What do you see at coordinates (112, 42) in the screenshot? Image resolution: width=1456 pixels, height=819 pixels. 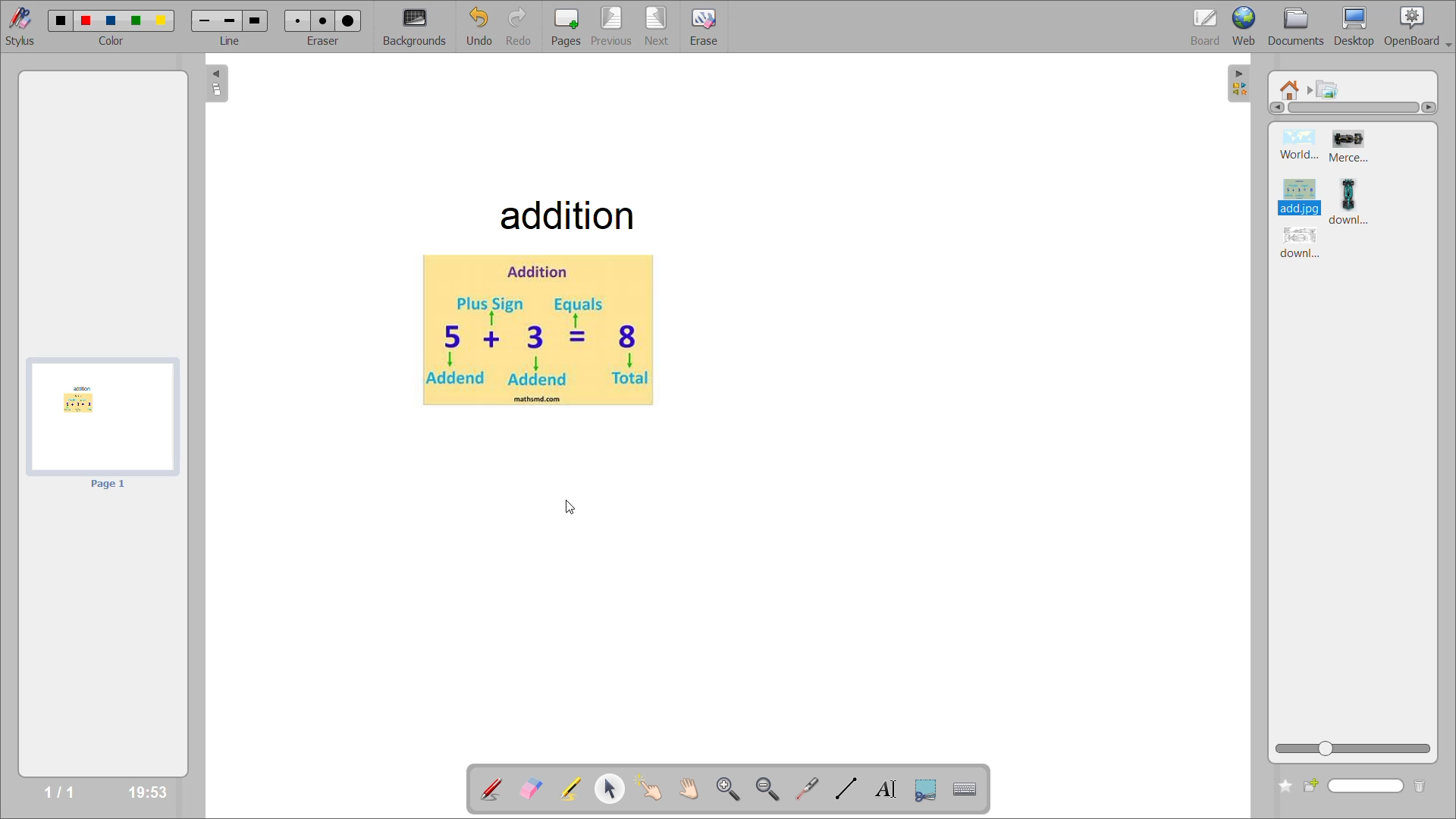 I see `color` at bounding box center [112, 42].